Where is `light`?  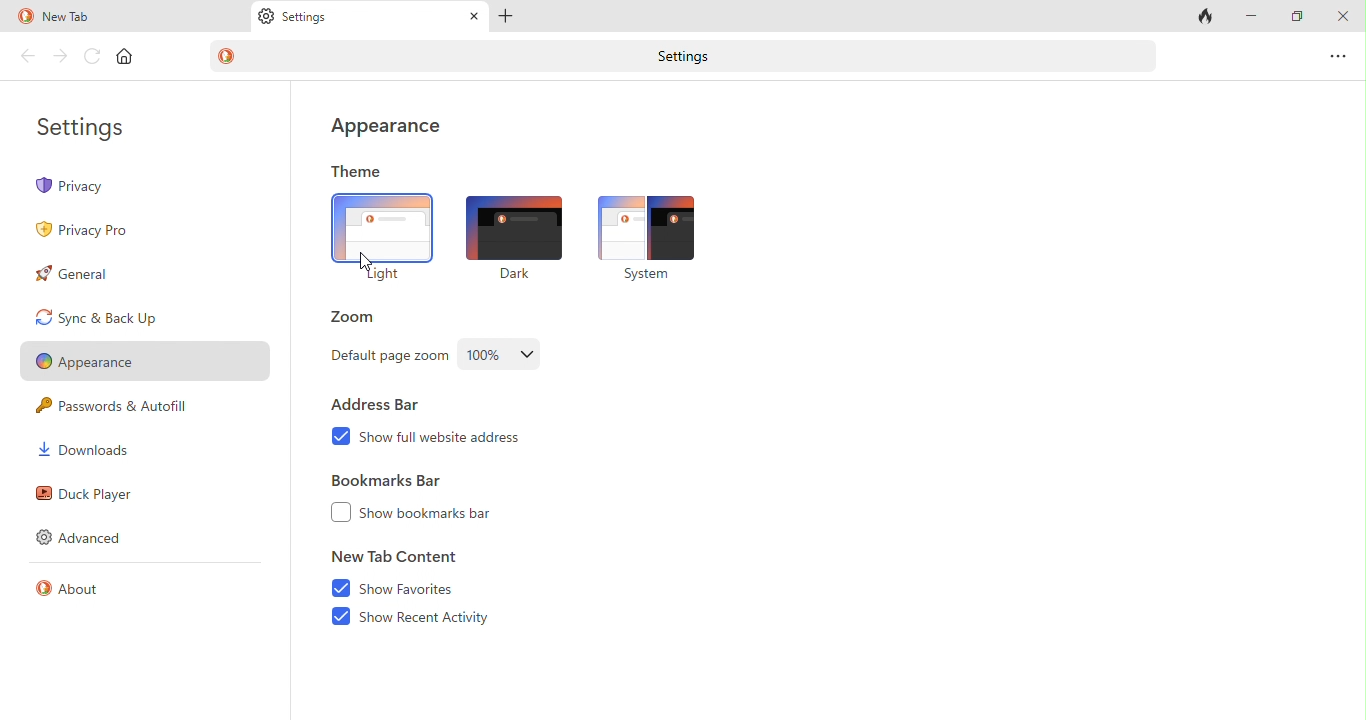
light is located at coordinates (381, 239).